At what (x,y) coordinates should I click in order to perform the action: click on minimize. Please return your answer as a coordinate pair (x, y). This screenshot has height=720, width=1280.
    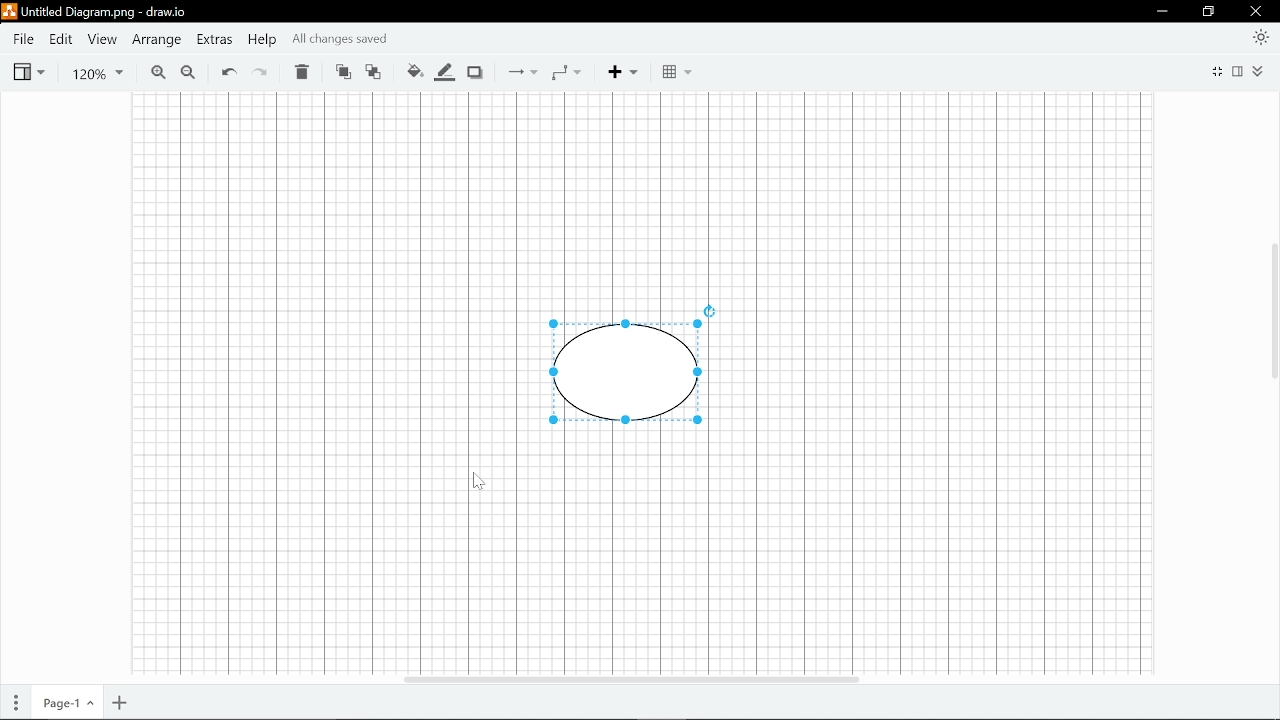
    Looking at the image, I should click on (1165, 11).